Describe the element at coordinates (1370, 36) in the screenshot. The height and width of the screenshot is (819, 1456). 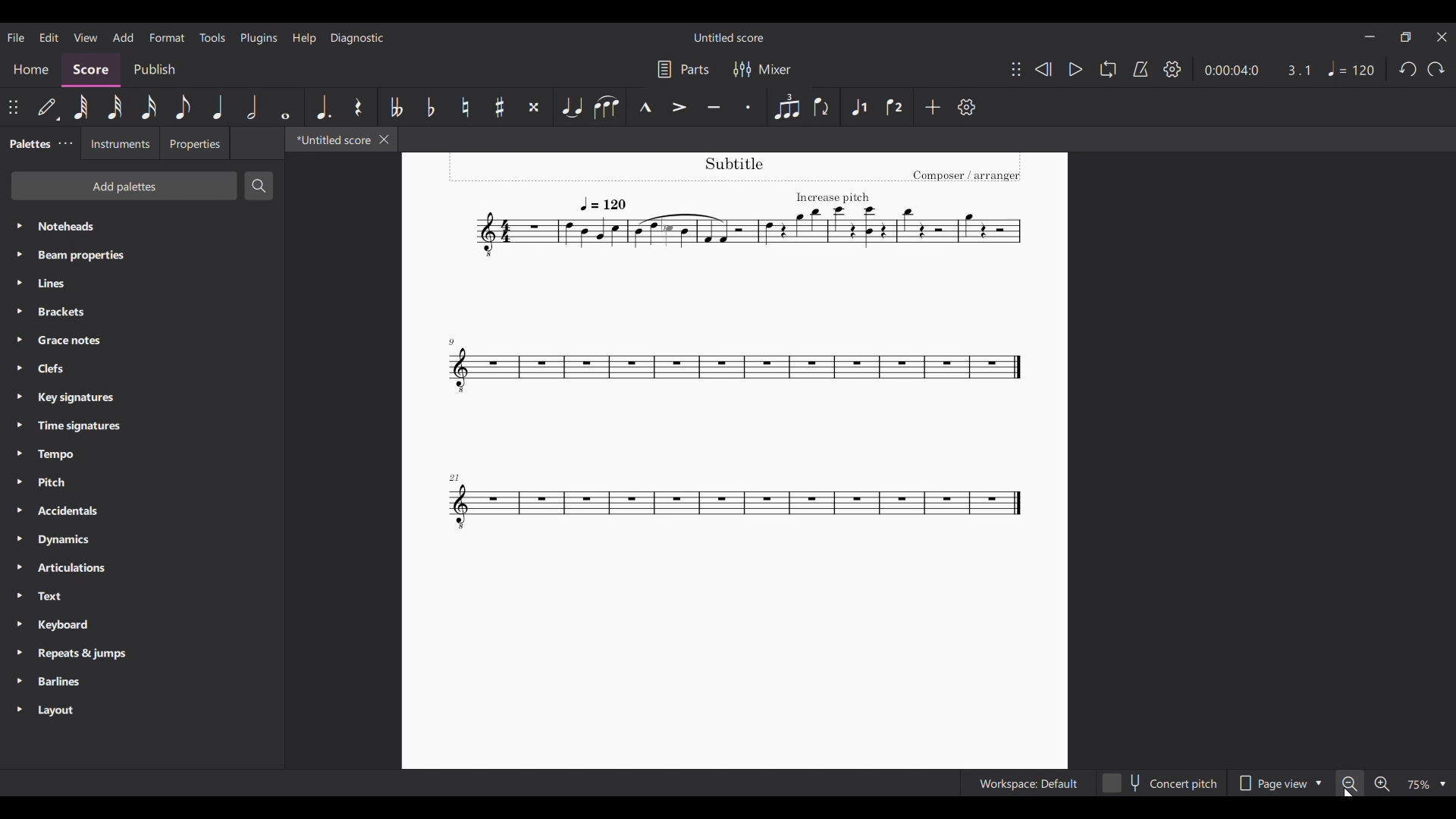
I see `Minimize` at that location.